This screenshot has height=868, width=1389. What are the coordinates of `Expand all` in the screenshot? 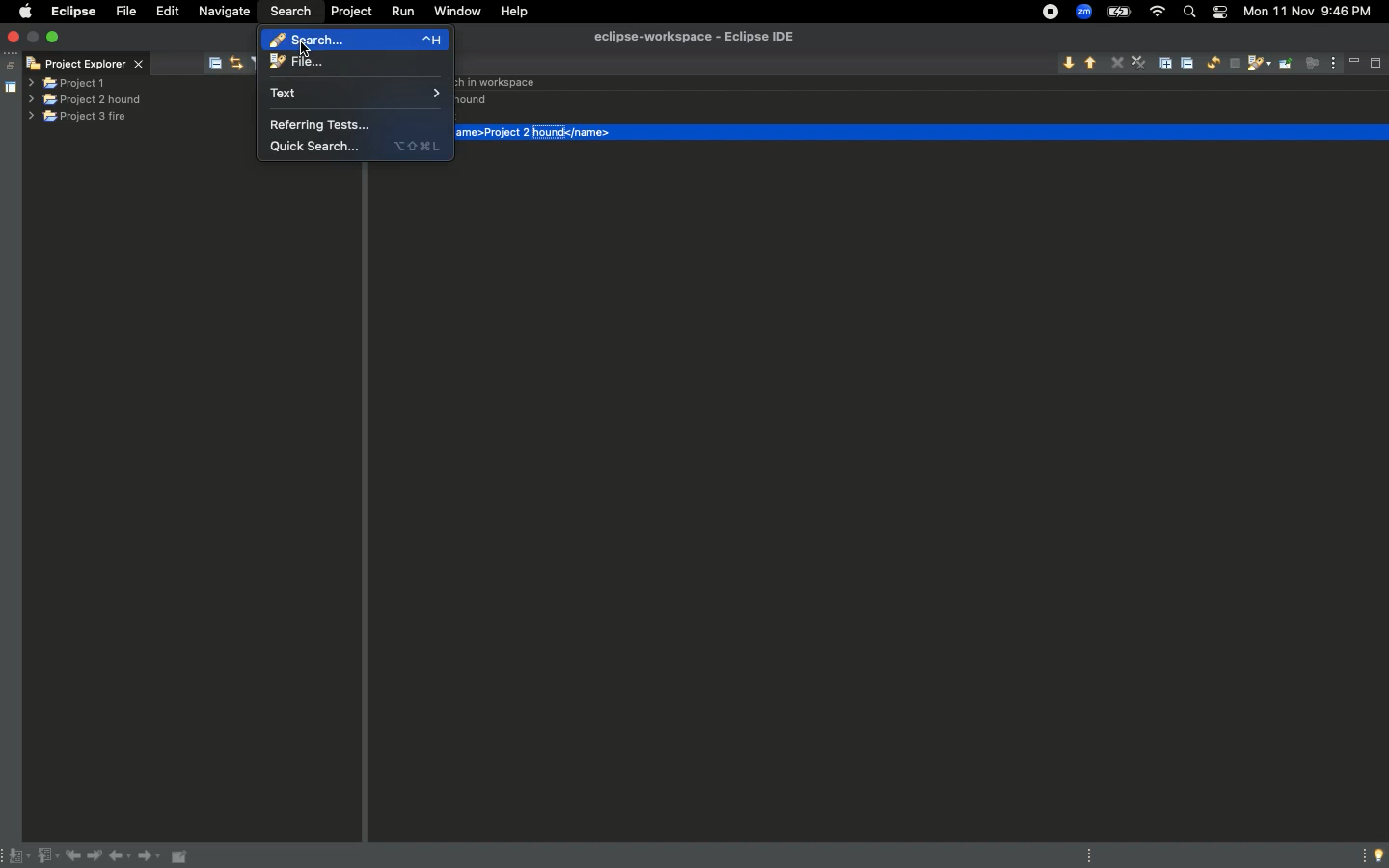 It's located at (1169, 62).